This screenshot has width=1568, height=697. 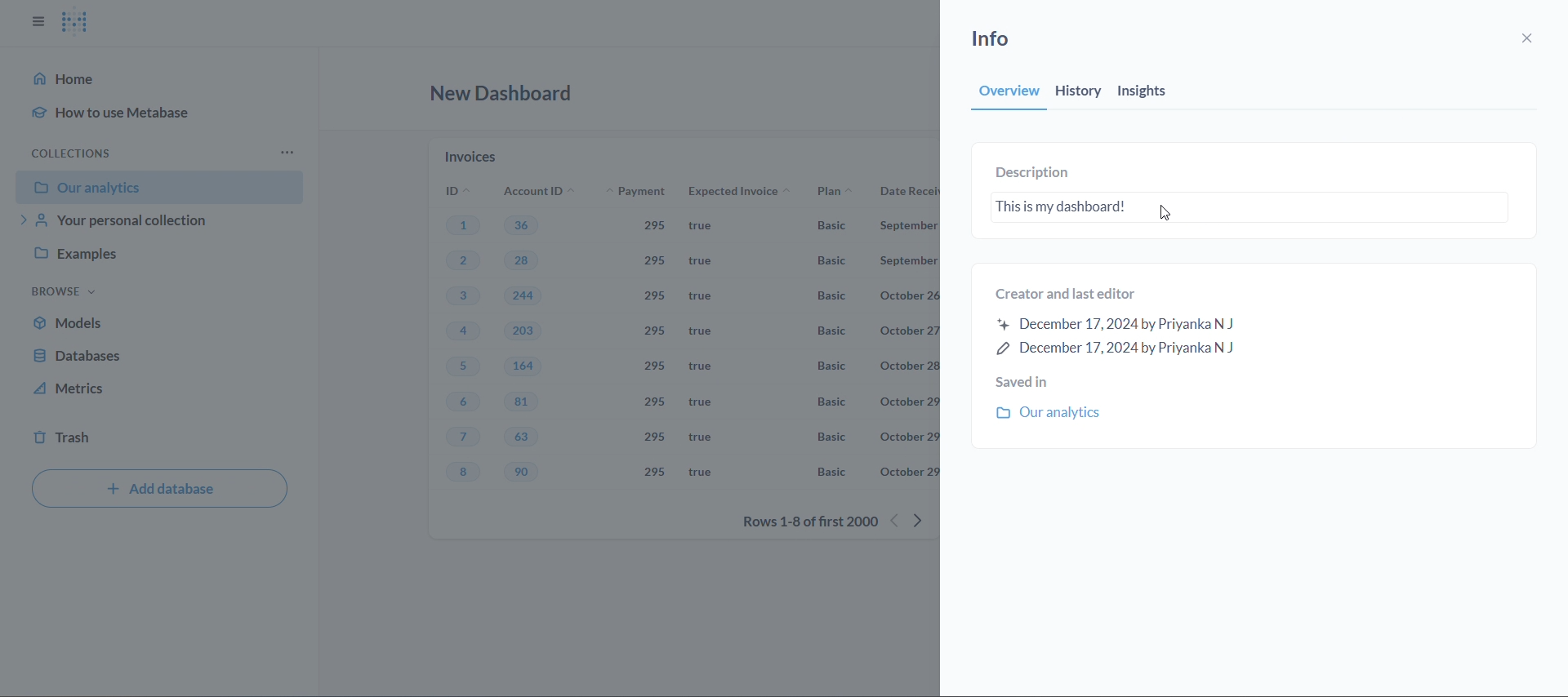 I want to click on Basic, so click(x=827, y=300).